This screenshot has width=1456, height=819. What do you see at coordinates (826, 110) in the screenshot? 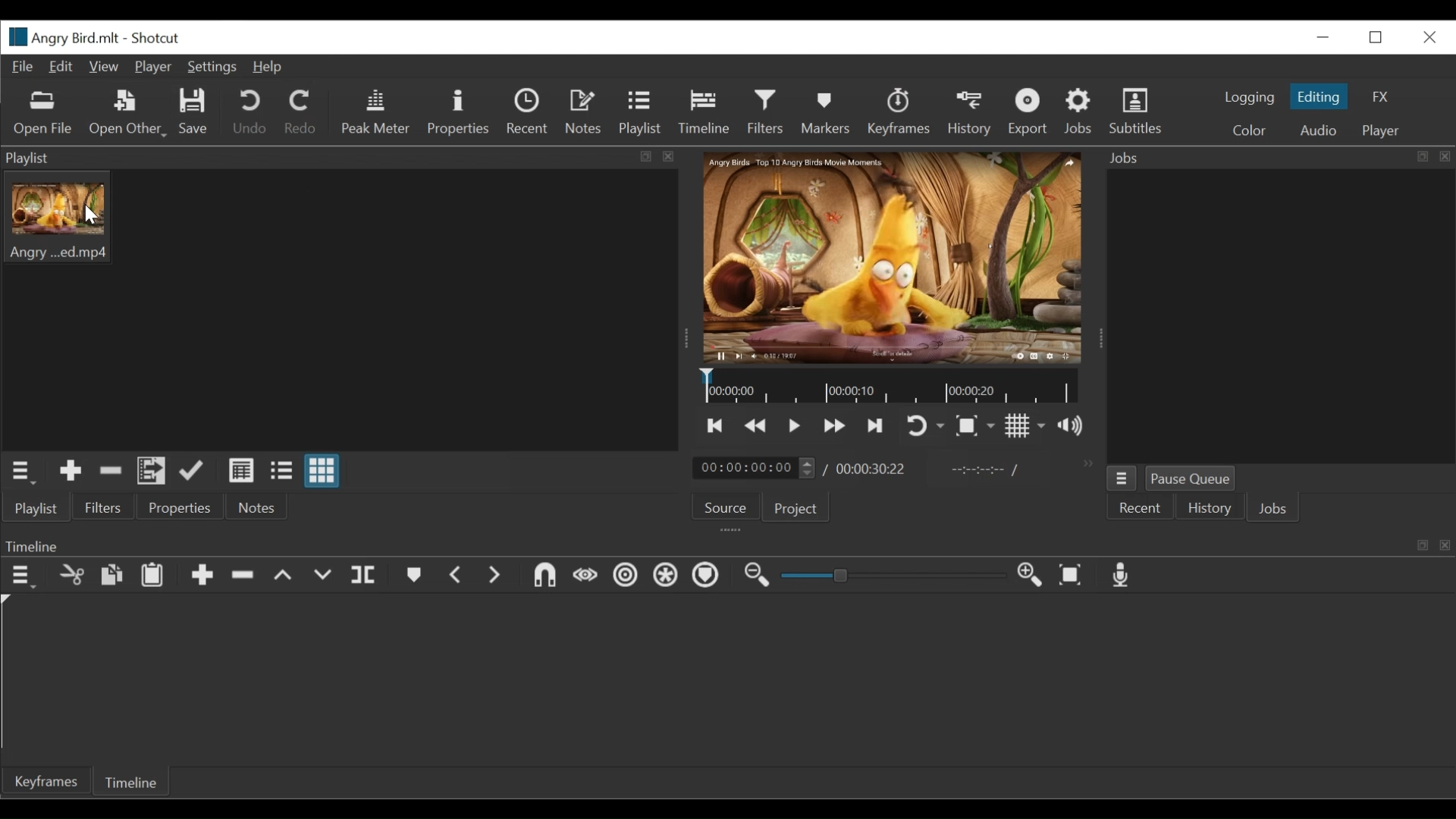
I see `Markers` at bounding box center [826, 110].